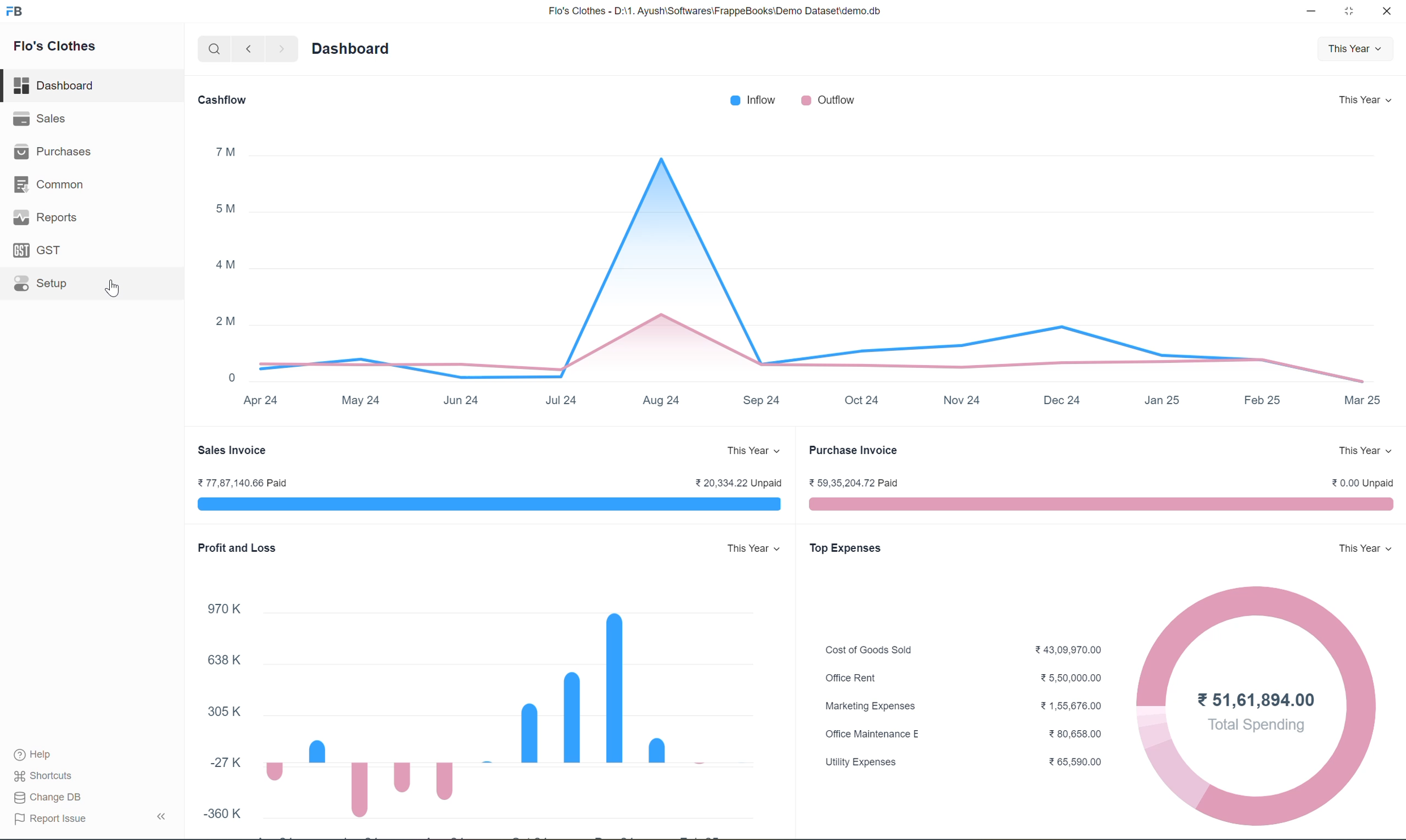 This screenshot has width=1406, height=840. I want to click on Setup, so click(41, 283).